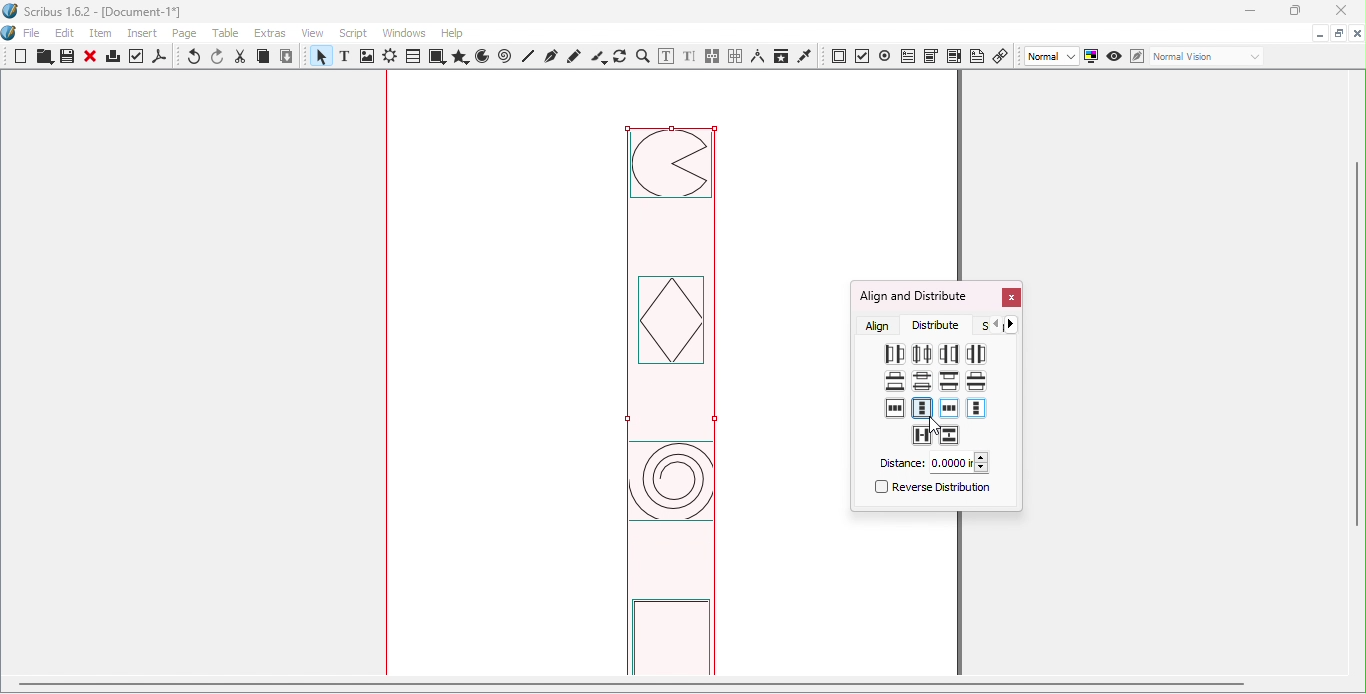 The image size is (1366, 694). What do you see at coordinates (348, 58) in the screenshot?
I see `Text frame` at bounding box center [348, 58].